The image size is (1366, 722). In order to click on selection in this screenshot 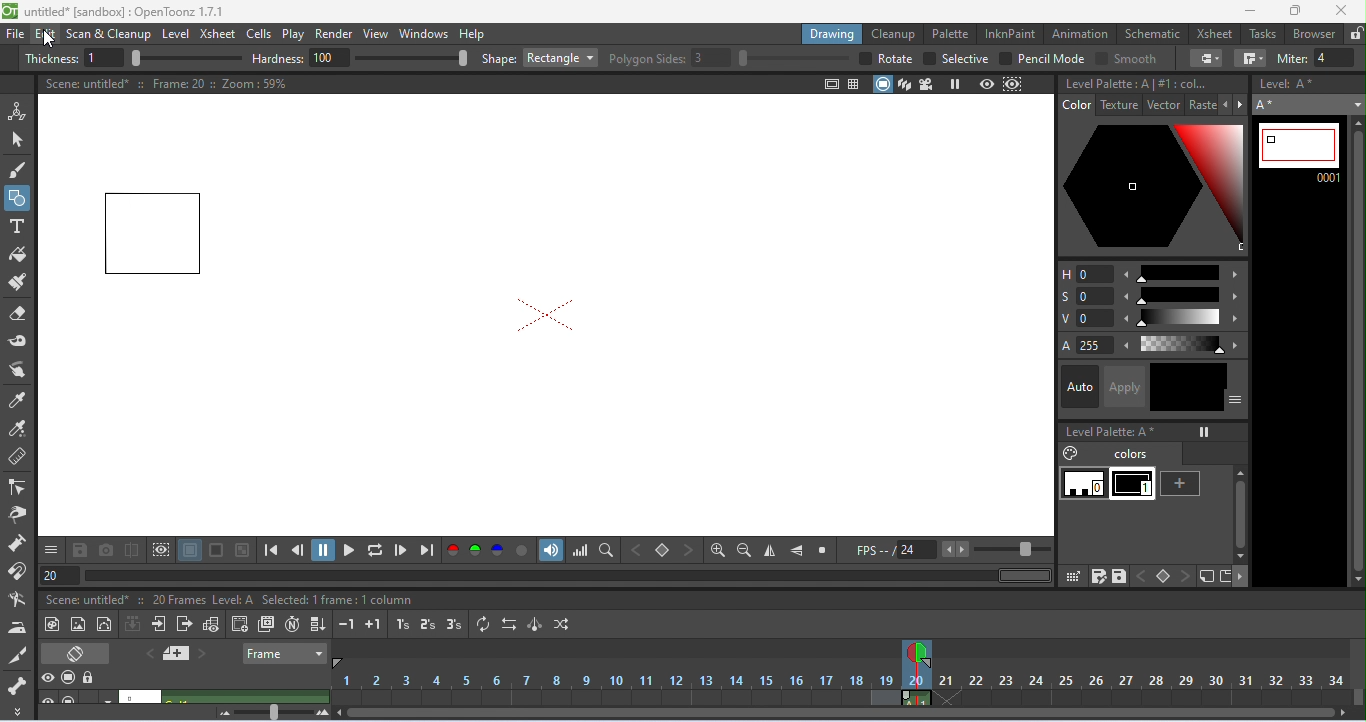, I will do `click(17, 139)`.